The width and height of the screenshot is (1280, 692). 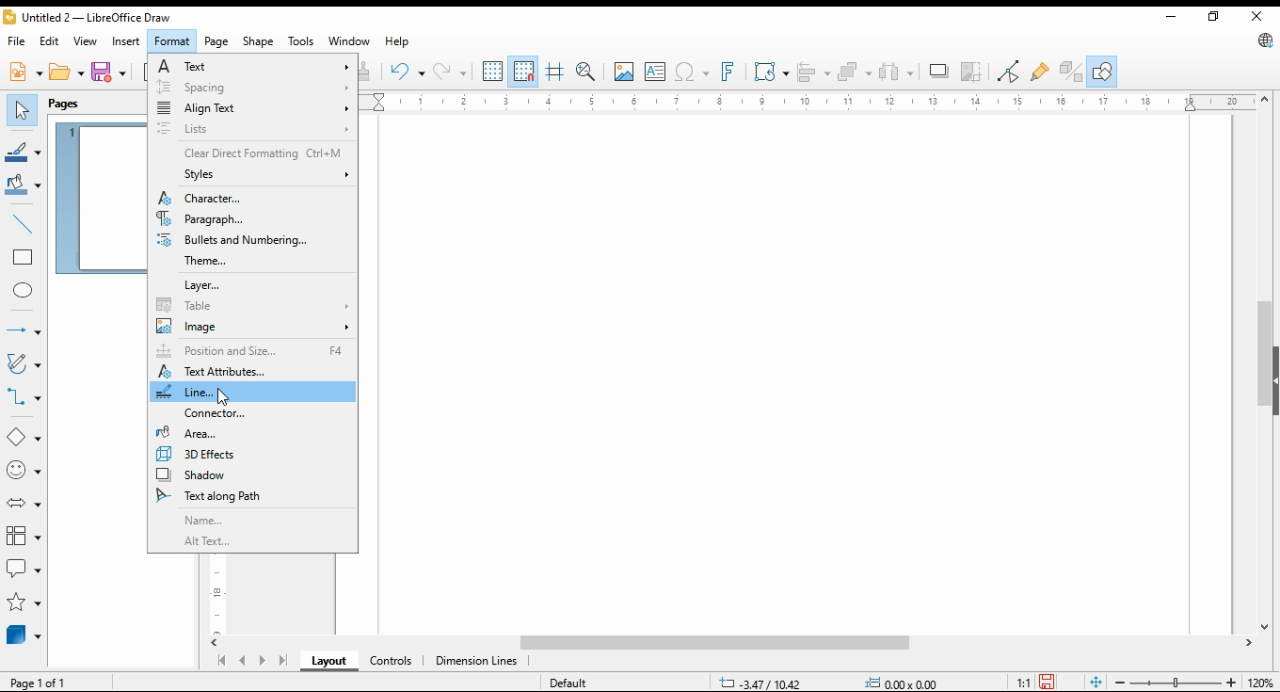 What do you see at coordinates (25, 70) in the screenshot?
I see `new` at bounding box center [25, 70].